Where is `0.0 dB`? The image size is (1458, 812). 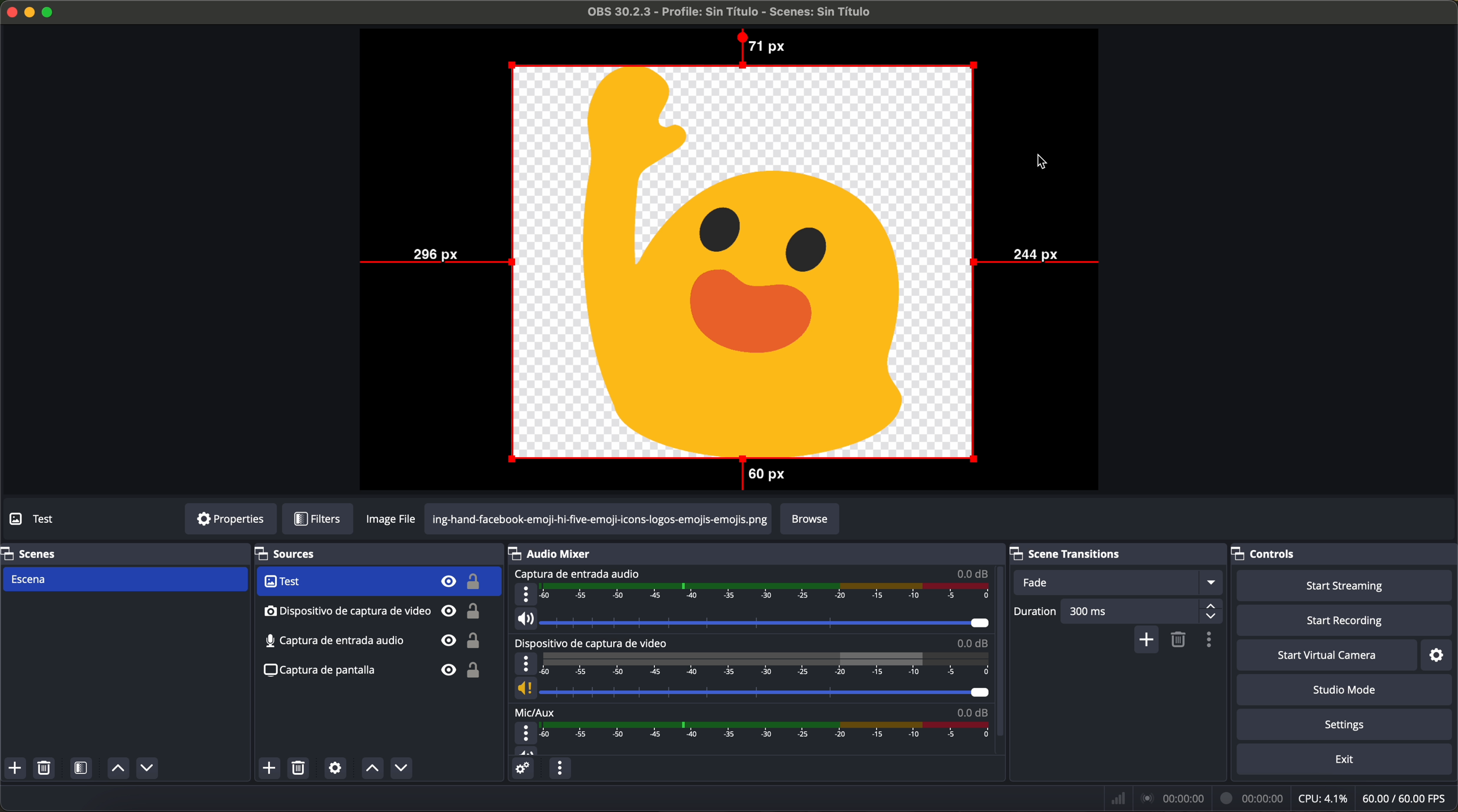
0.0 dB is located at coordinates (972, 710).